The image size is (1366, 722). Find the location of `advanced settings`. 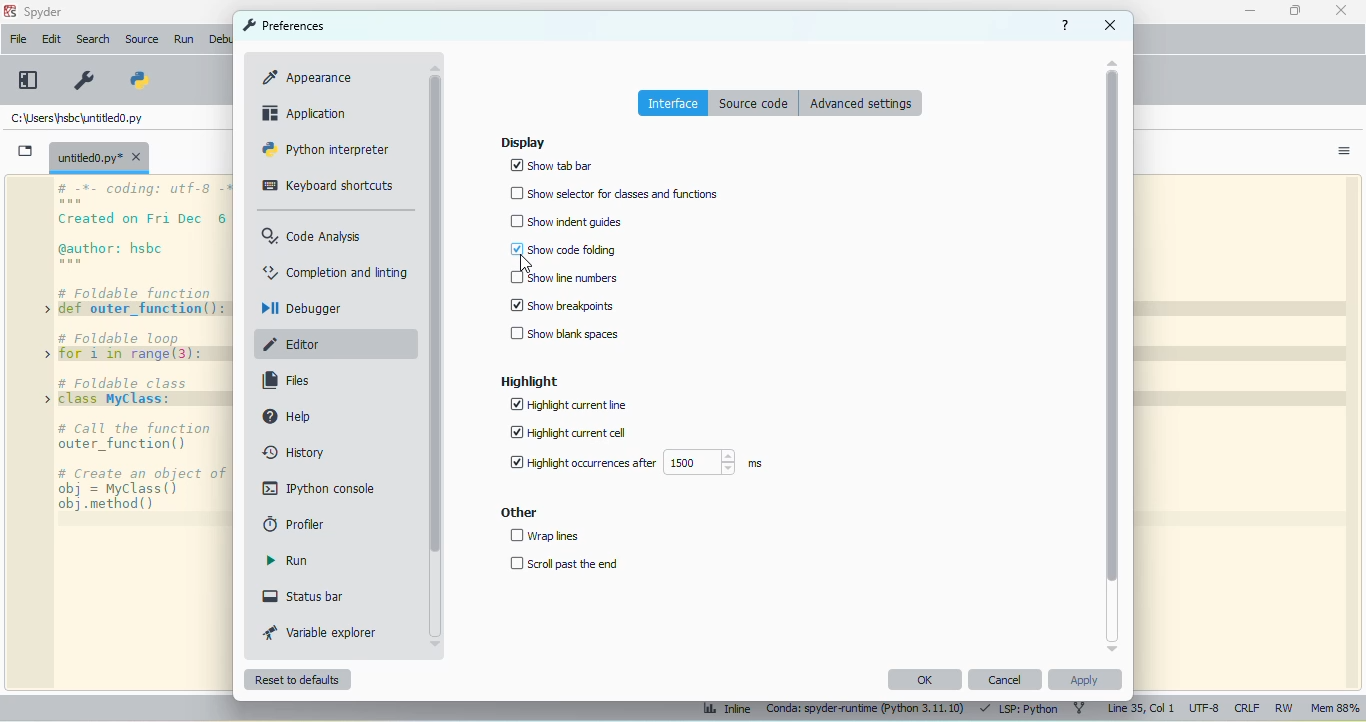

advanced settings is located at coordinates (861, 102).